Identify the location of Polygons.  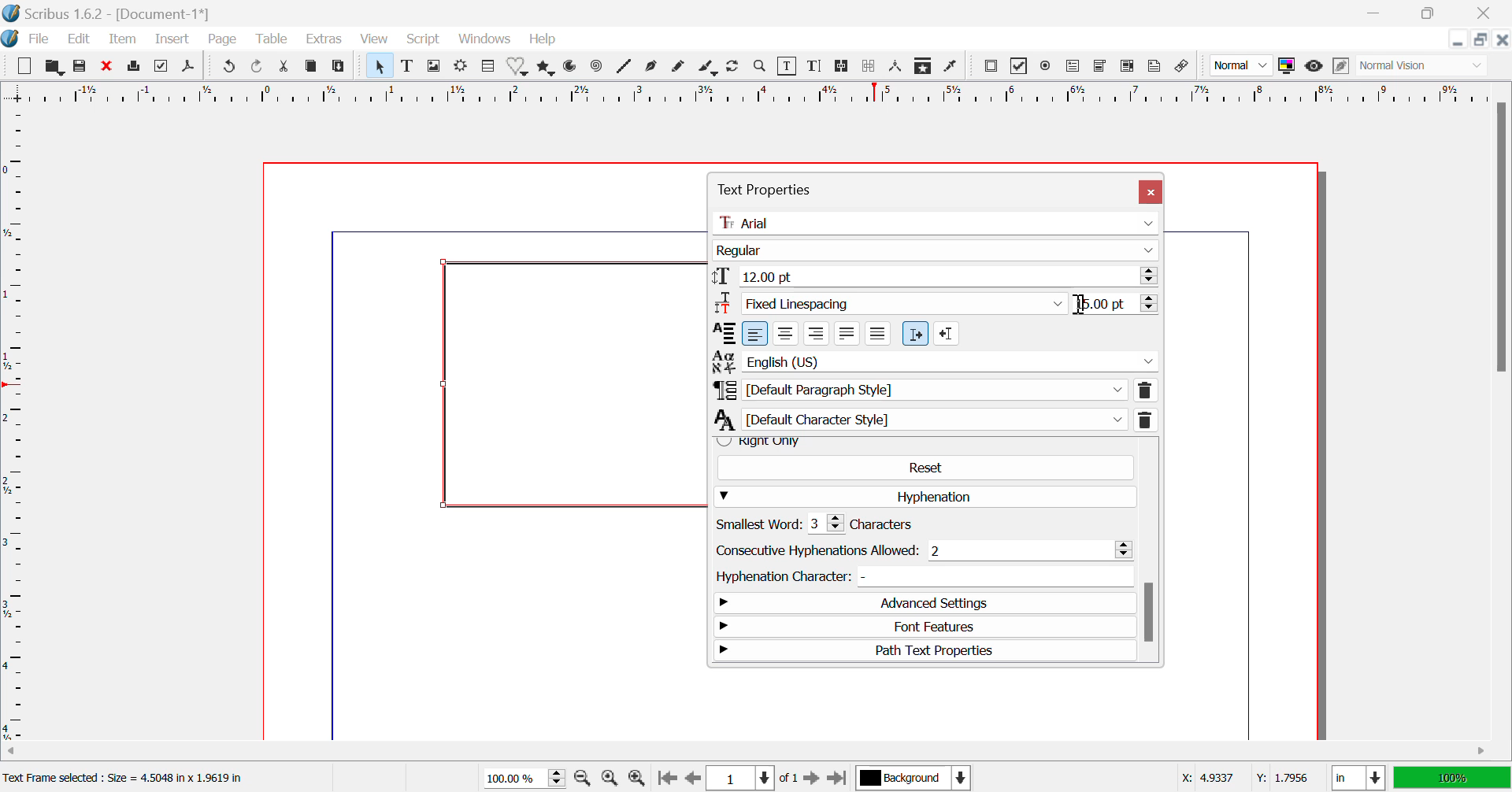
(545, 69).